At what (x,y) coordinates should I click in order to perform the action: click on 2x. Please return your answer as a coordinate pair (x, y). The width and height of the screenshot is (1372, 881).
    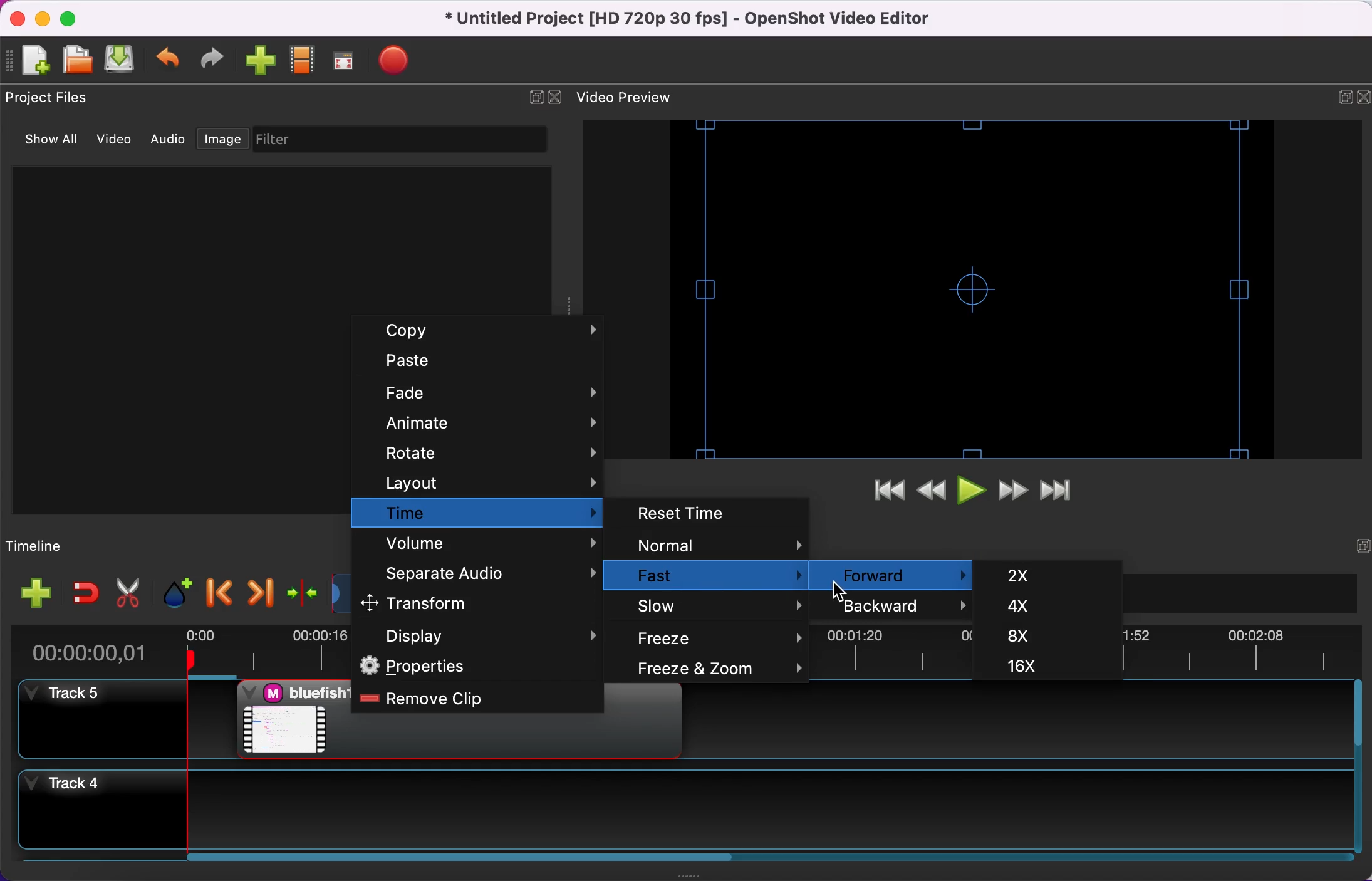
    Looking at the image, I should click on (1046, 576).